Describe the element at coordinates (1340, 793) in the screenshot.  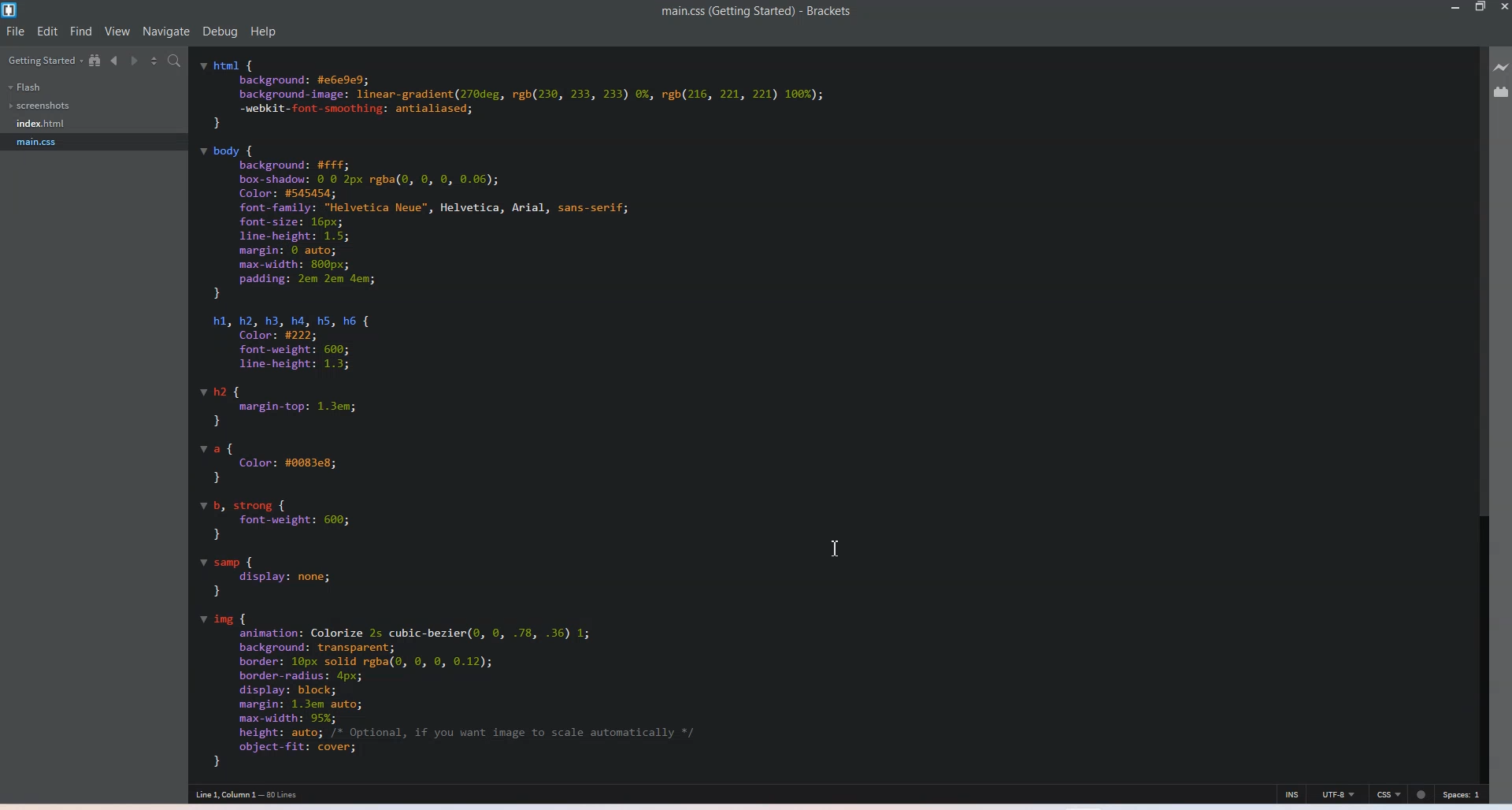
I see `UTF-8` at that location.